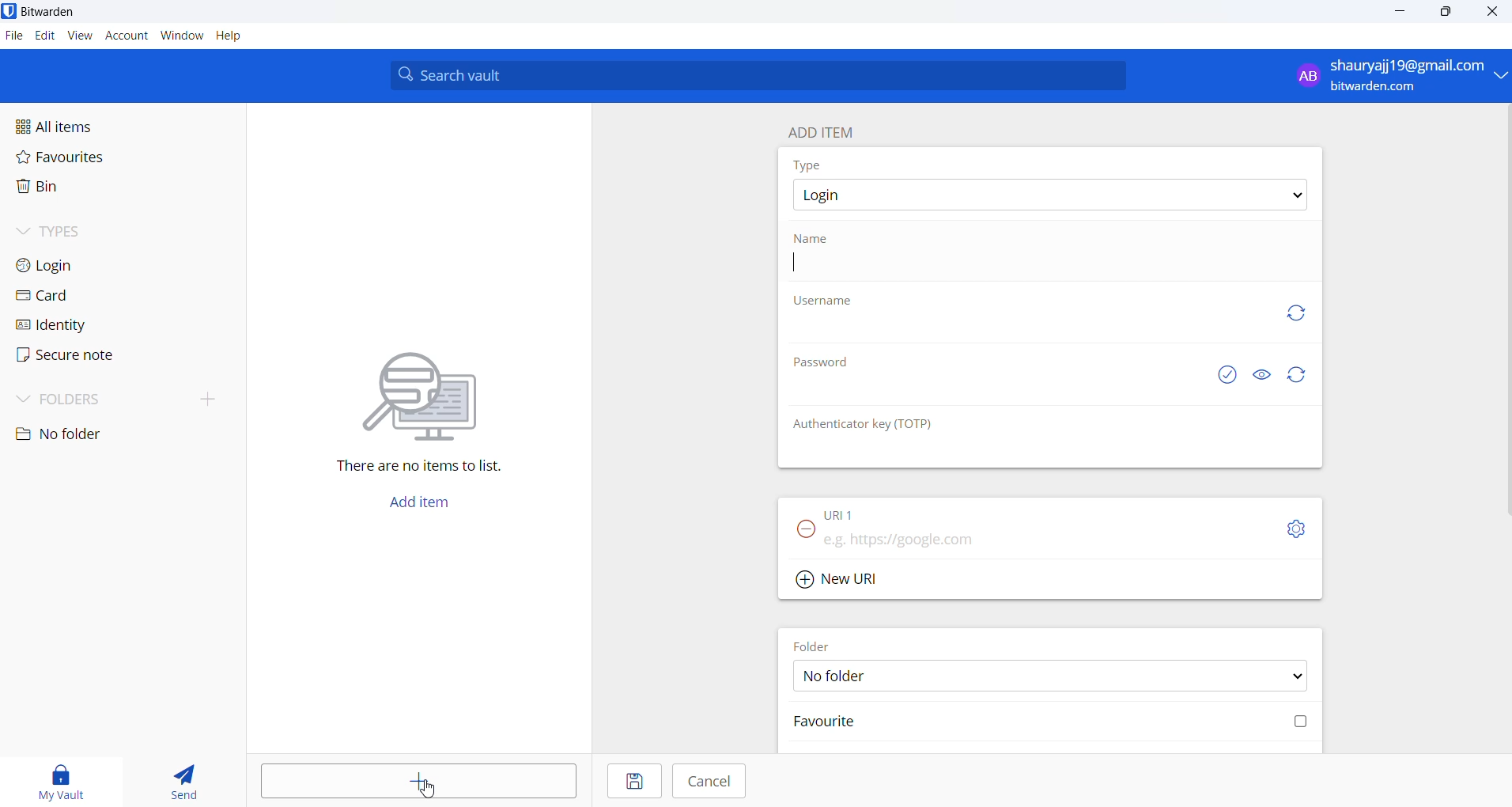 The height and width of the screenshot is (807, 1512). What do you see at coordinates (239, 36) in the screenshot?
I see `help` at bounding box center [239, 36].